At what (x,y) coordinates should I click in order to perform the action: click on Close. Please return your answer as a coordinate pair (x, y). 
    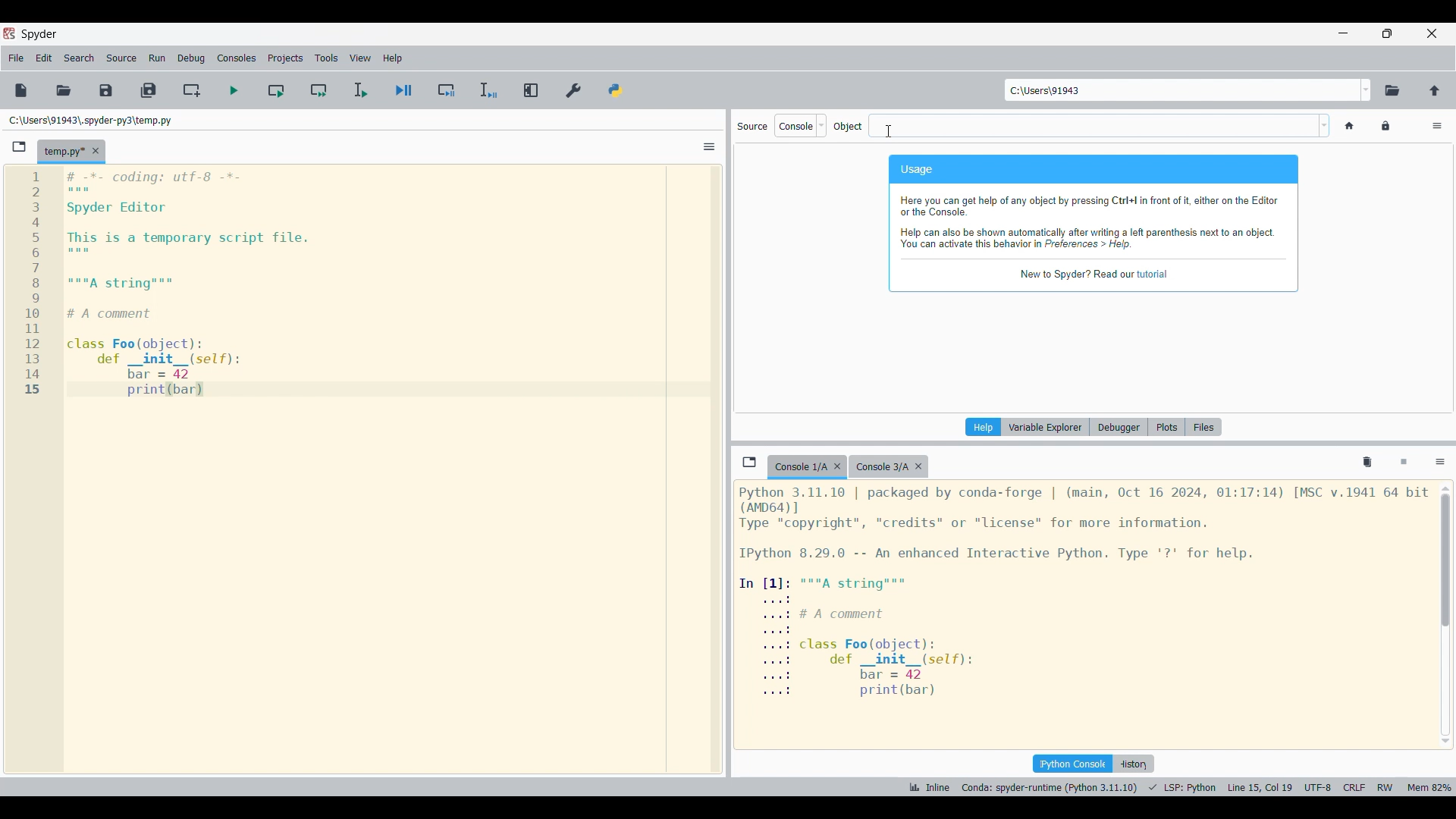
    Looking at the image, I should click on (96, 150).